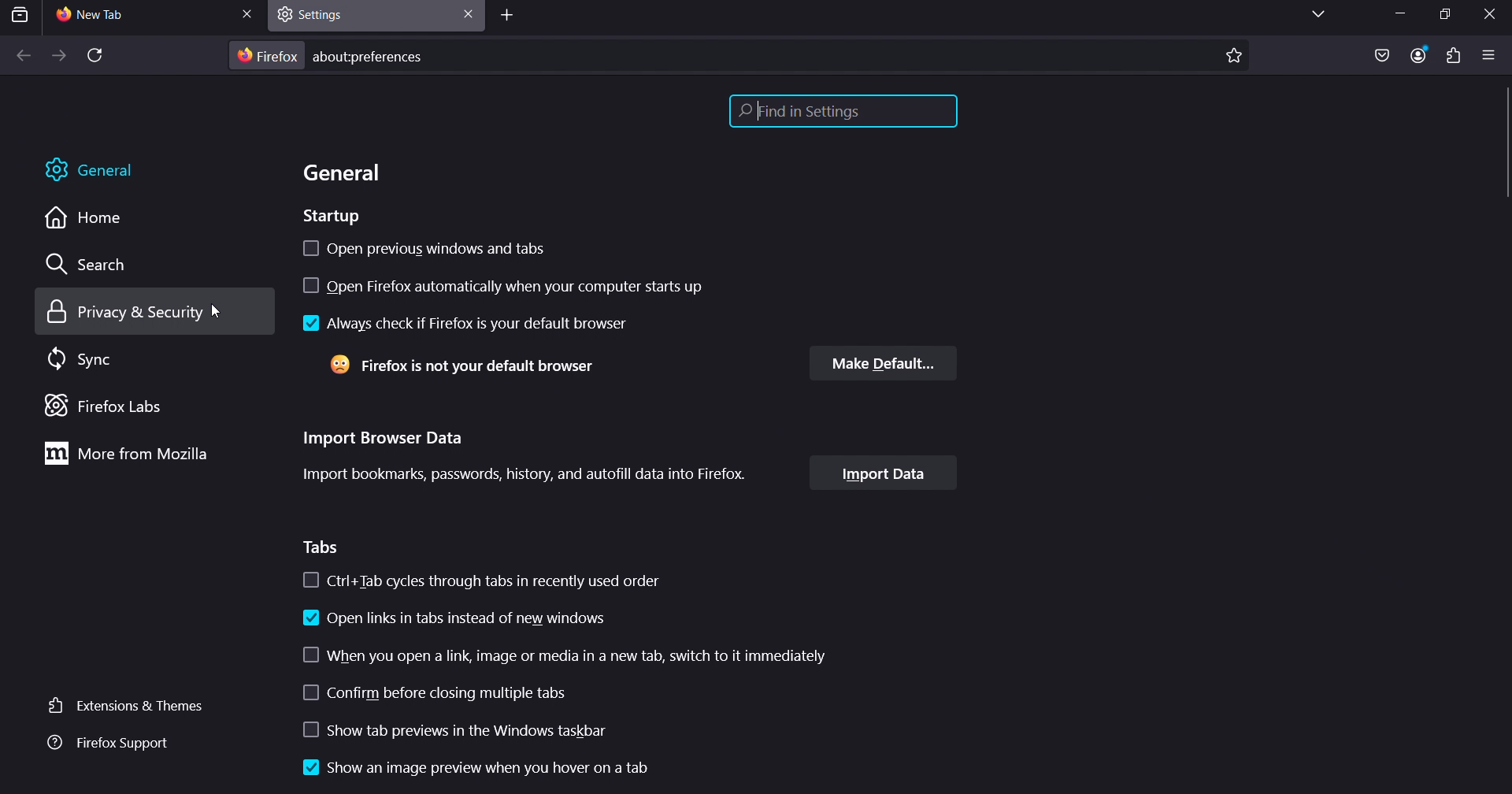  What do you see at coordinates (336, 217) in the screenshot?
I see `startup` at bounding box center [336, 217].